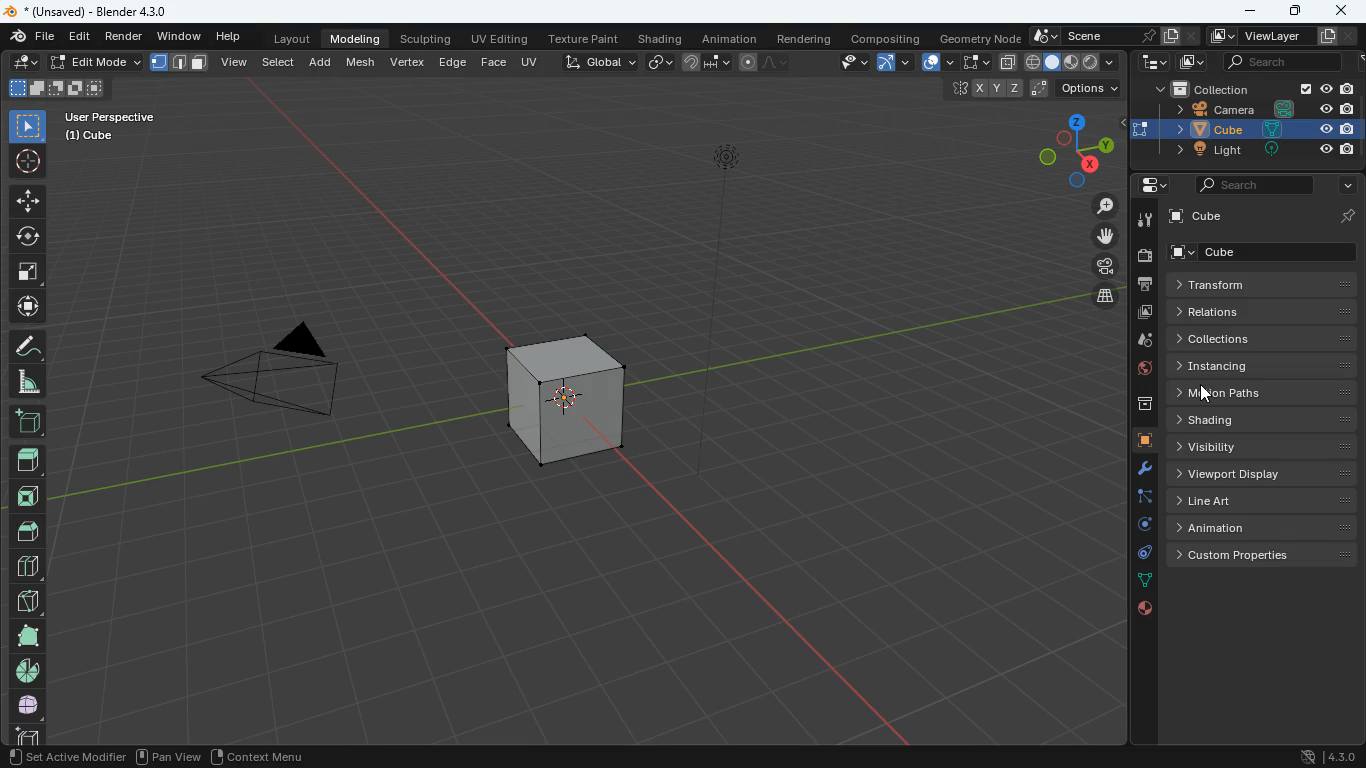 The width and height of the screenshot is (1366, 768). Describe the element at coordinates (1267, 365) in the screenshot. I see `instancing` at that location.